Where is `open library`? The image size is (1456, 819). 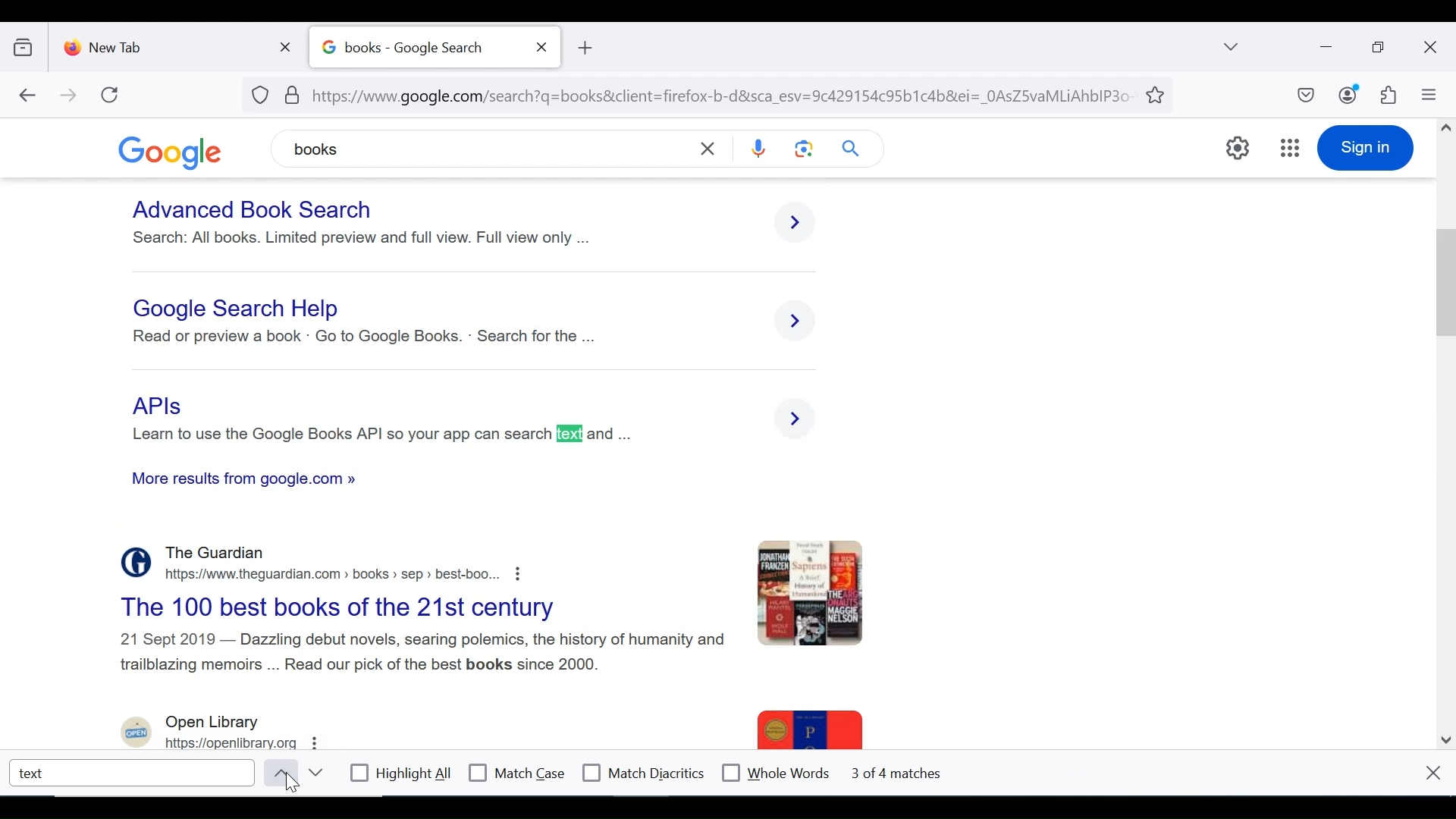 open library is located at coordinates (221, 732).